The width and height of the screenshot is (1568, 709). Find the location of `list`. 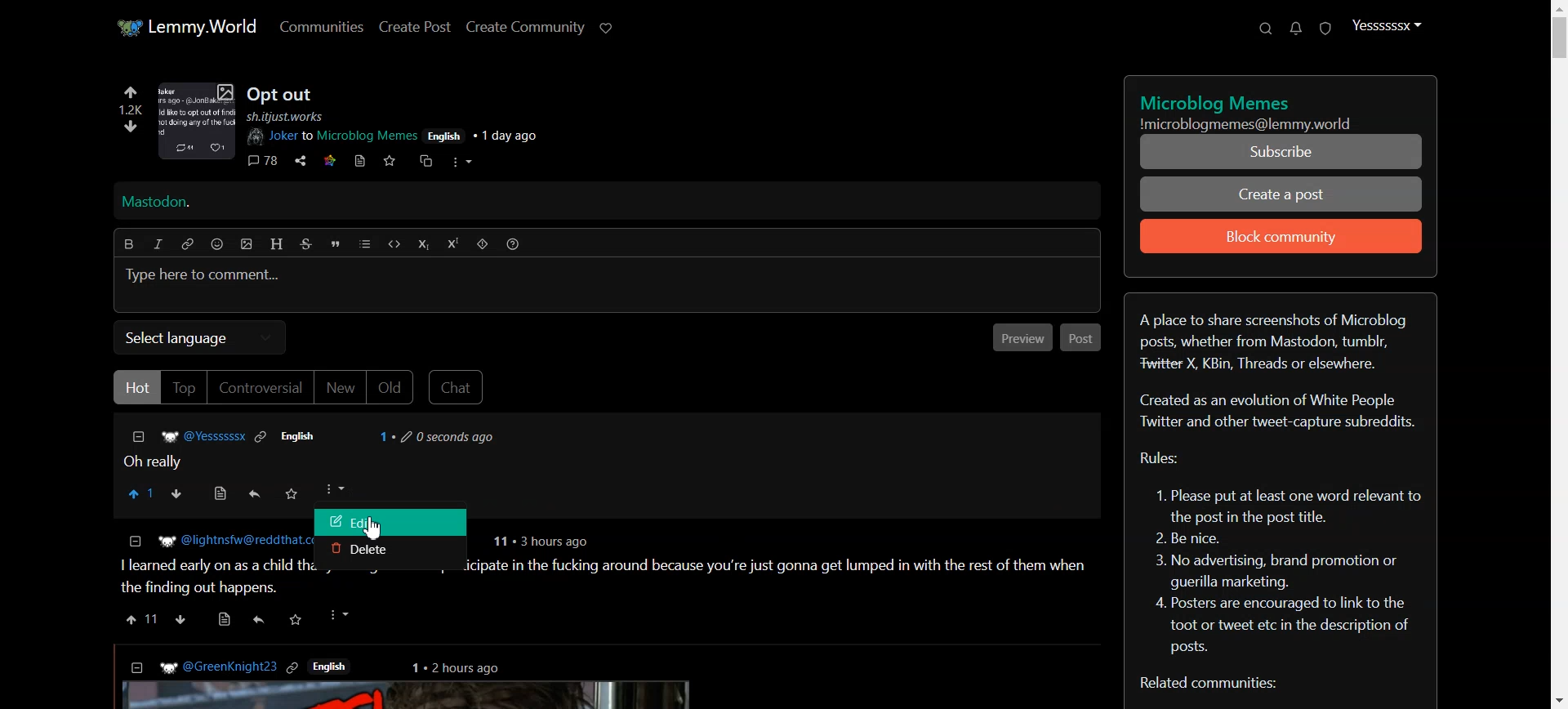

list is located at coordinates (365, 243).